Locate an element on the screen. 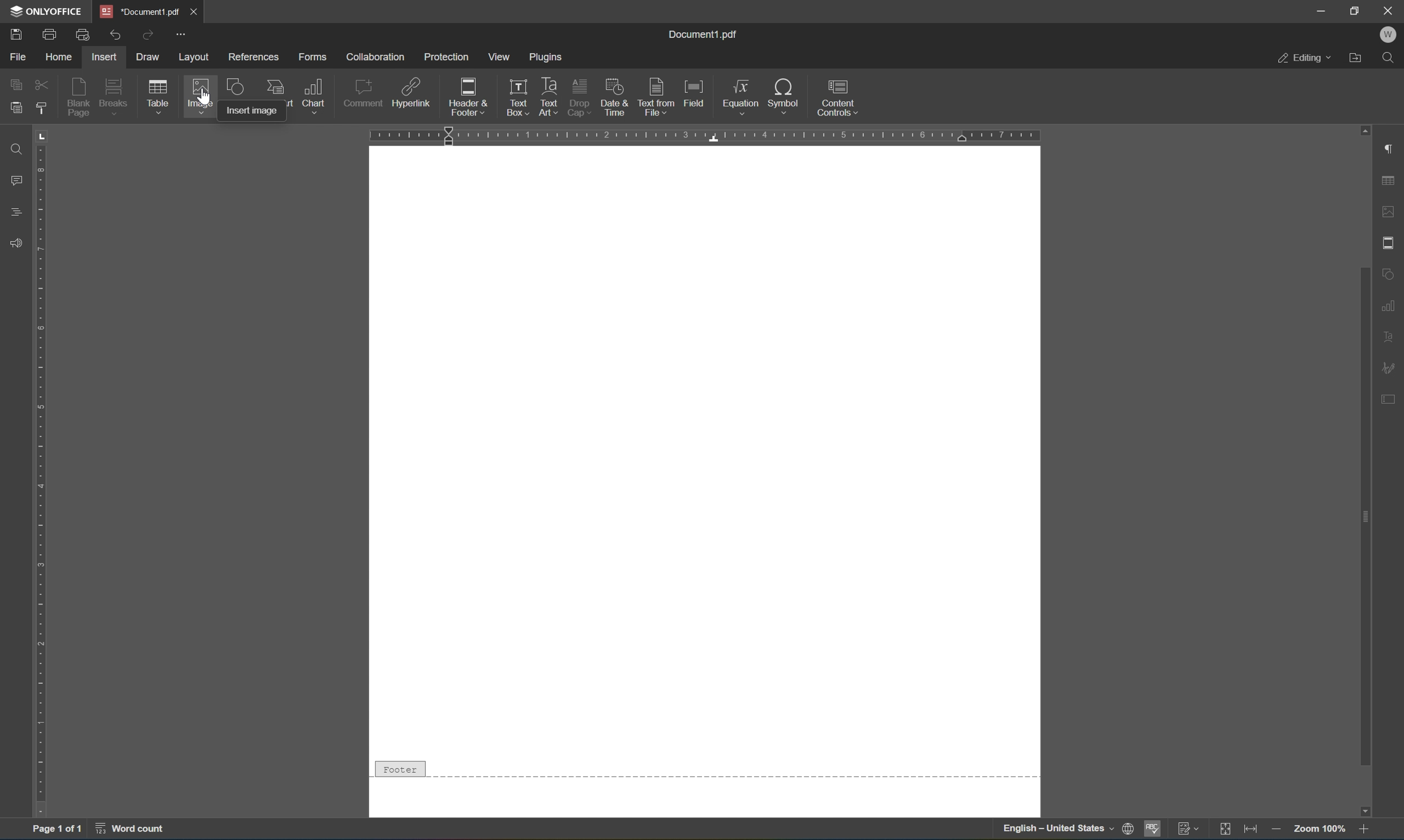 The image size is (1404, 840). table is located at coordinates (161, 98).